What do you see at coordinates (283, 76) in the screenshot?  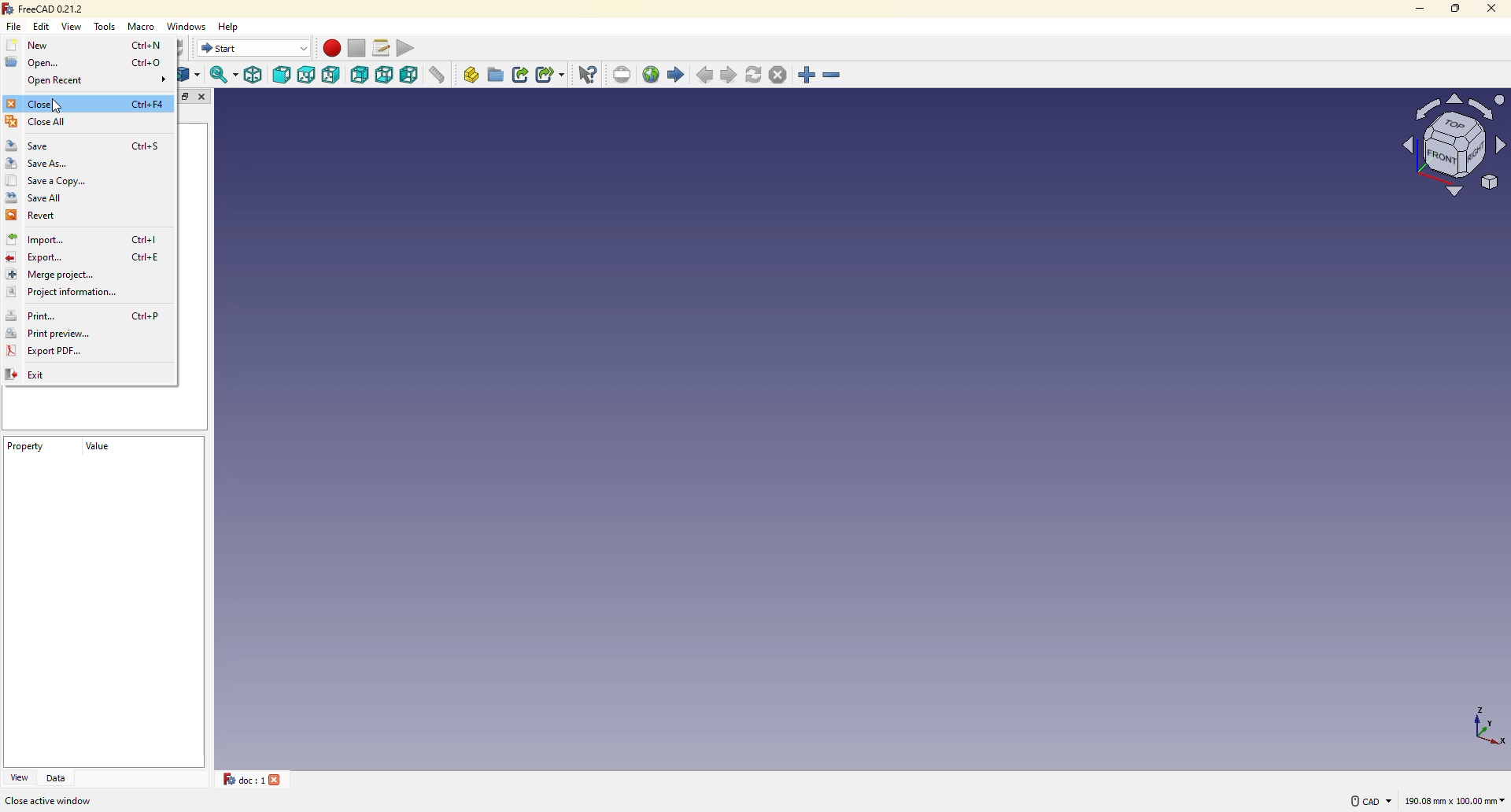 I see `front` at bounding box center [283, 76].